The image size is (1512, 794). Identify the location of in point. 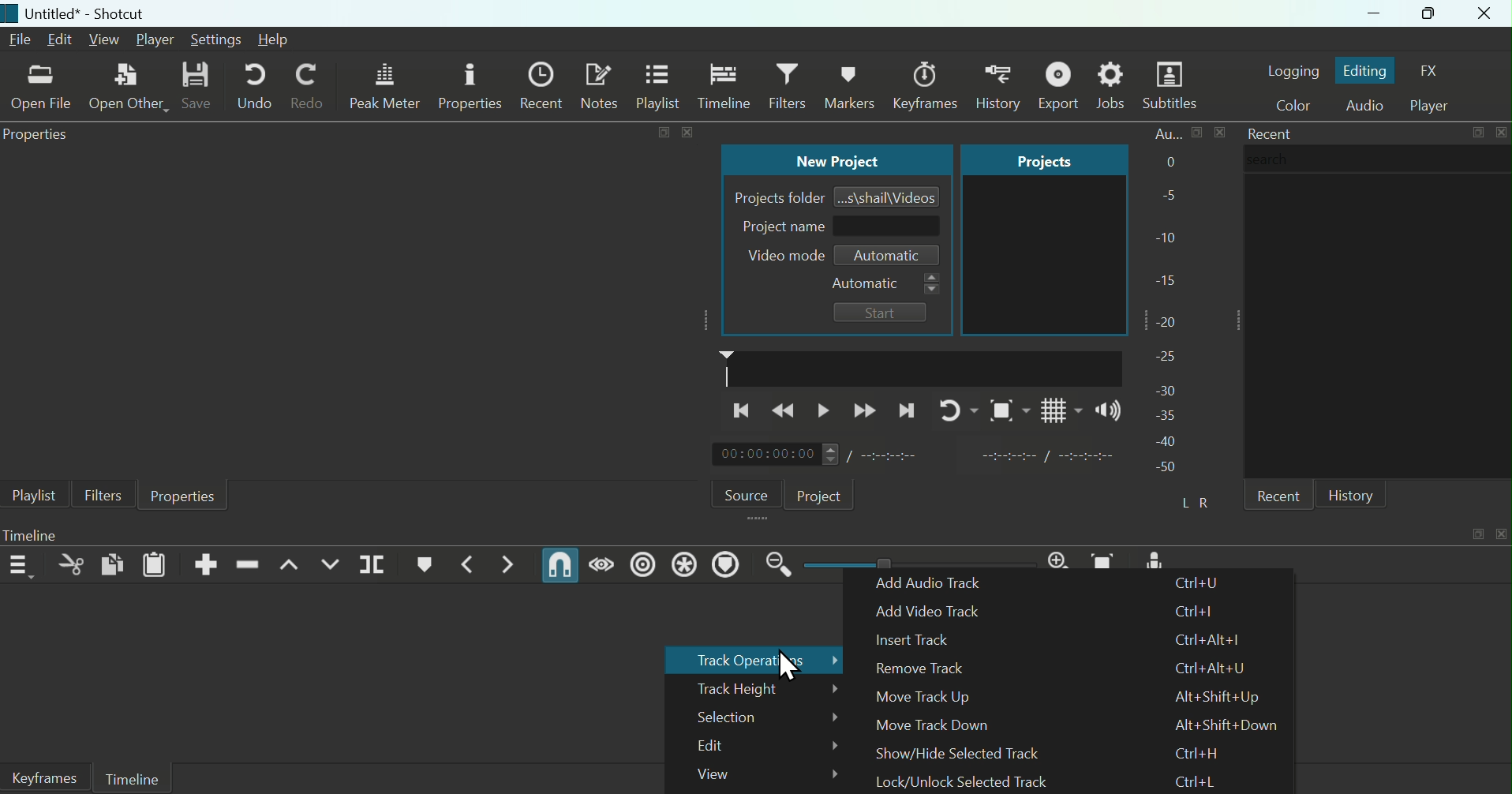
(1041, 458).